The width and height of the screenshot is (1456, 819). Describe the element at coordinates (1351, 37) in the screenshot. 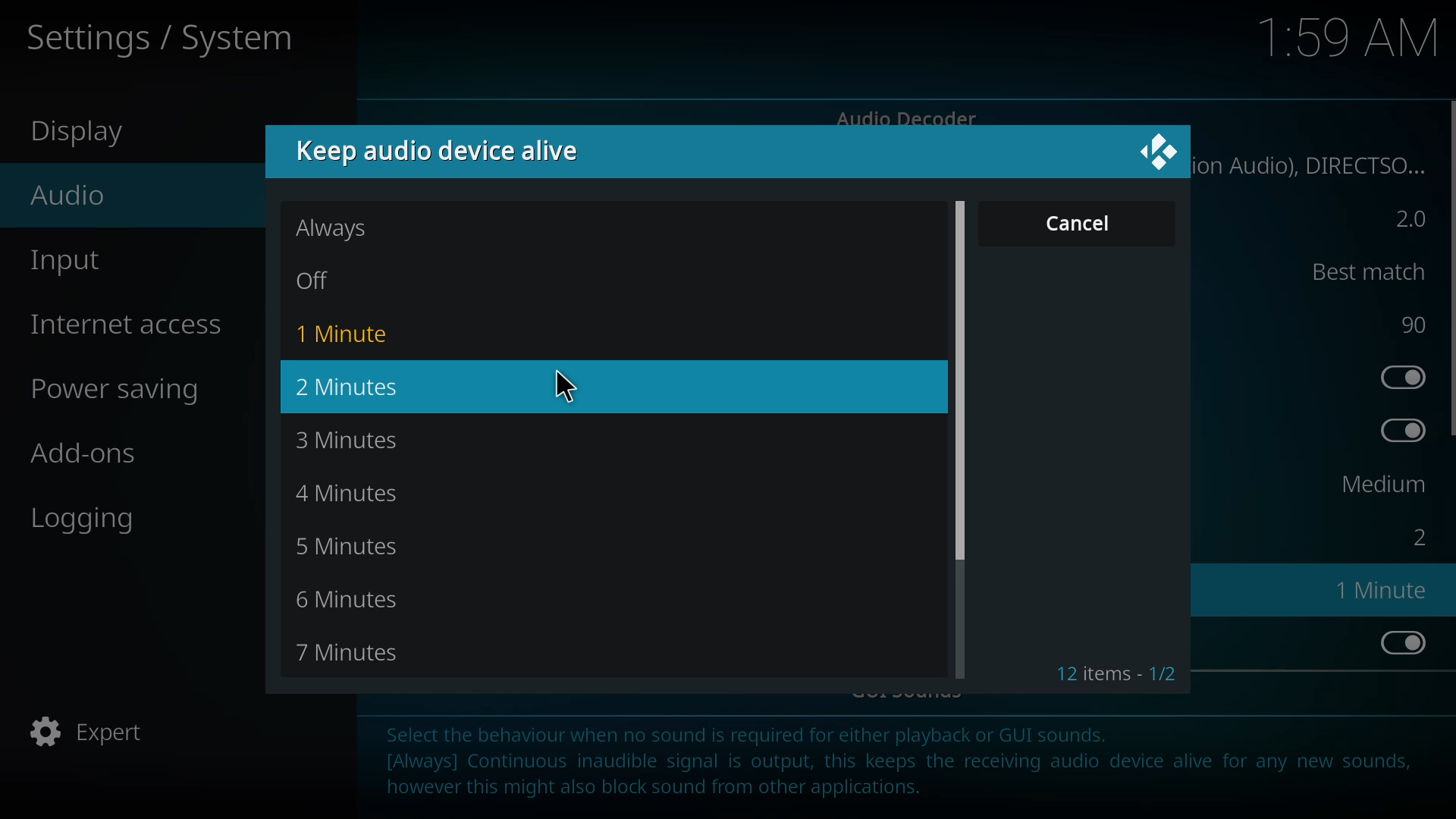

I see `time` at that location.